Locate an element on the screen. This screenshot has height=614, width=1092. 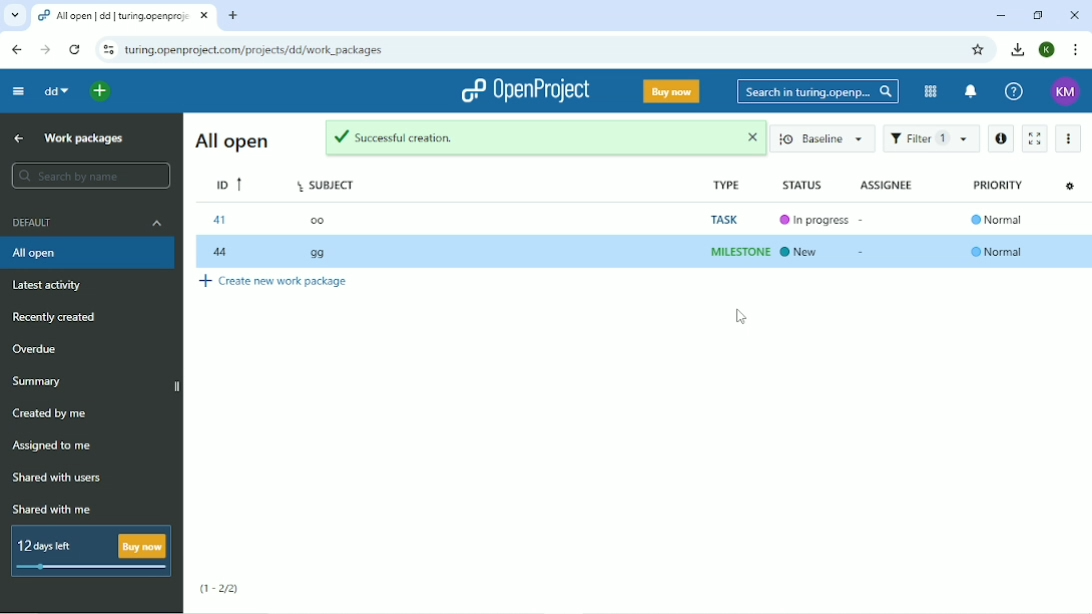
Restore down is located at coordinates (1035, 15).